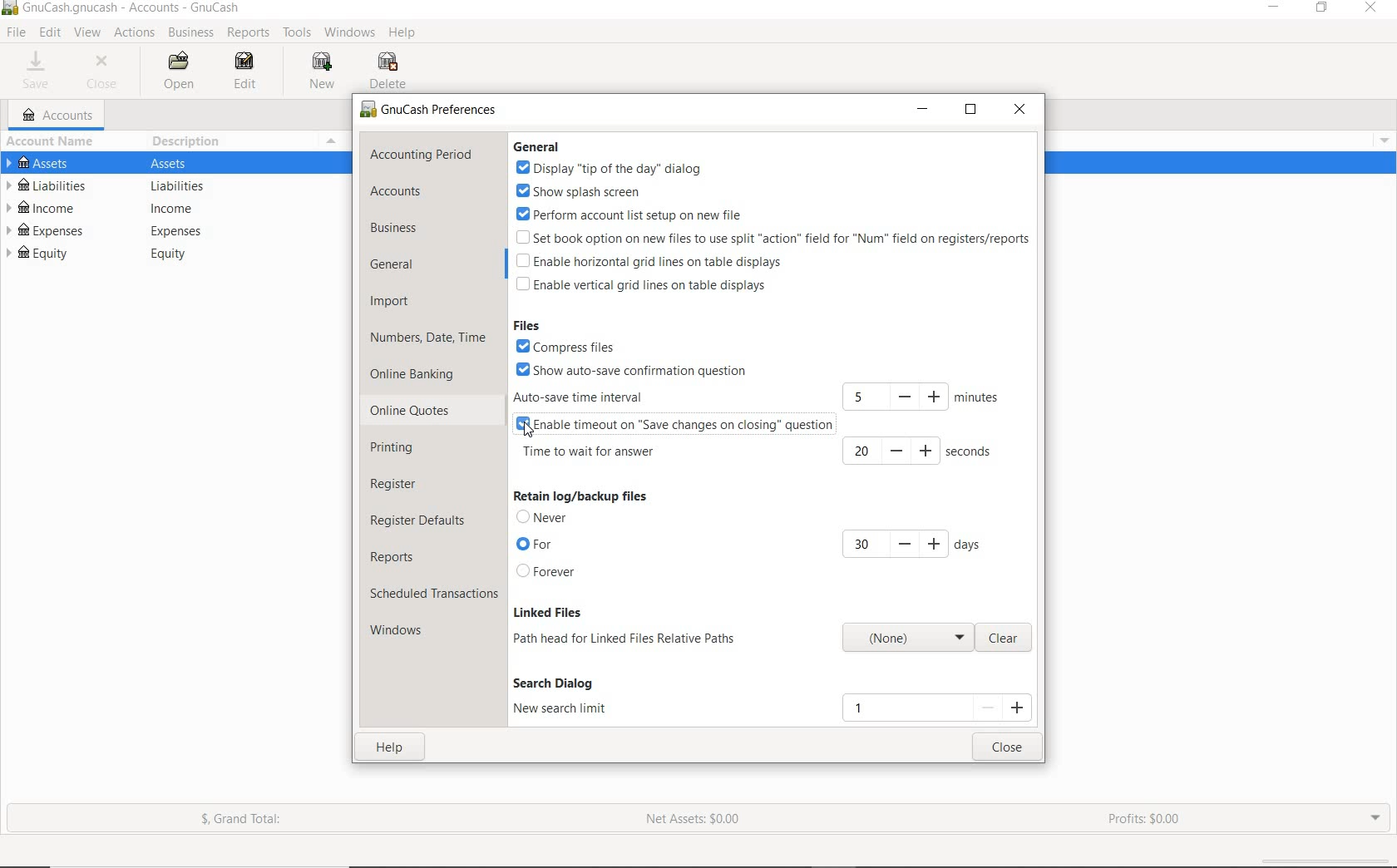 Image resolution: width=1397 pixels, height=868 pixels. I want to click on NET ASSETS, so click(694, 819).